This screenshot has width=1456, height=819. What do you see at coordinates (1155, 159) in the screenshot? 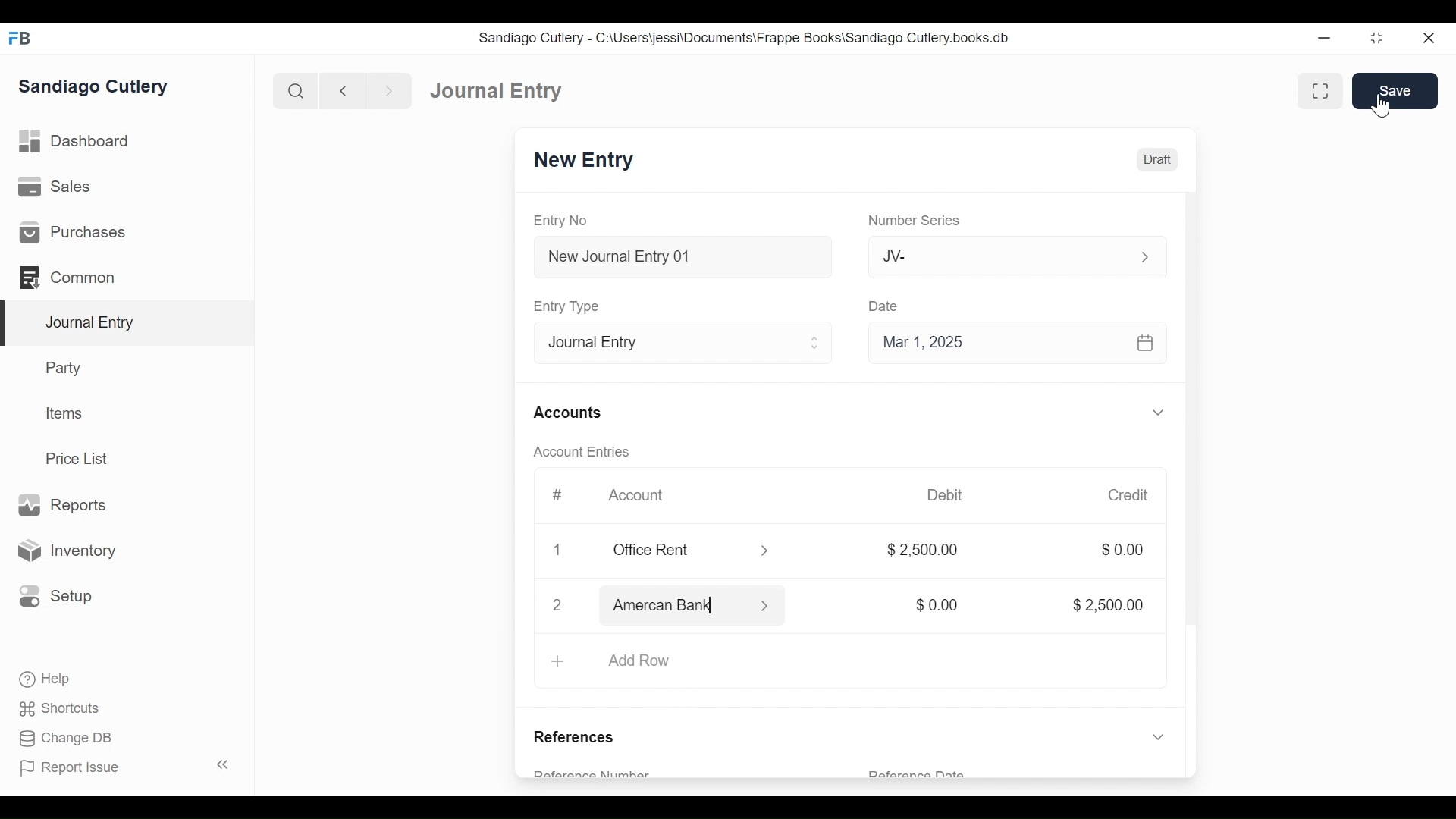
I see `Draft` at bounding box center [1155, 159].